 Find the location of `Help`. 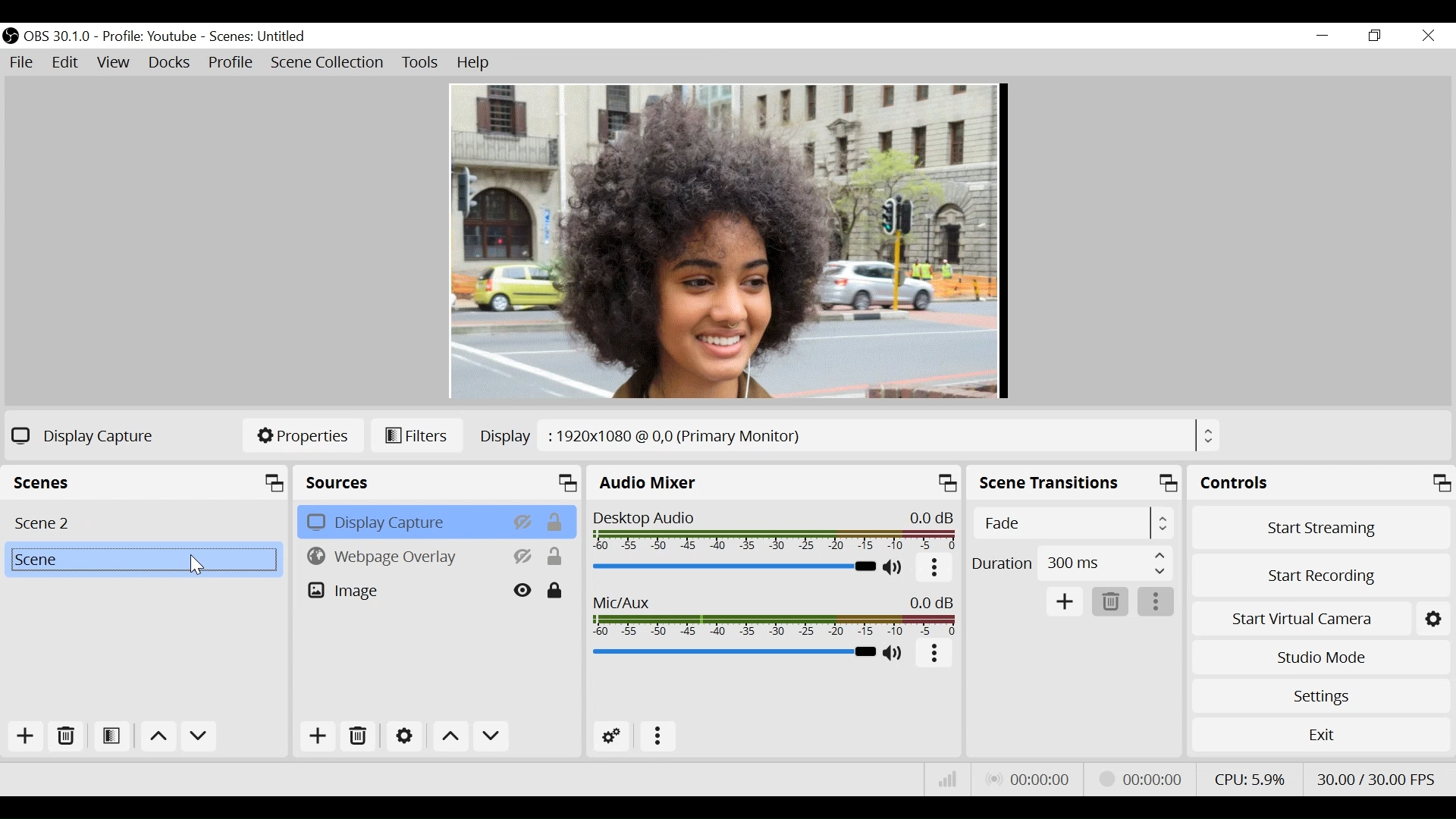

Help is located at coordinates (475, 64).